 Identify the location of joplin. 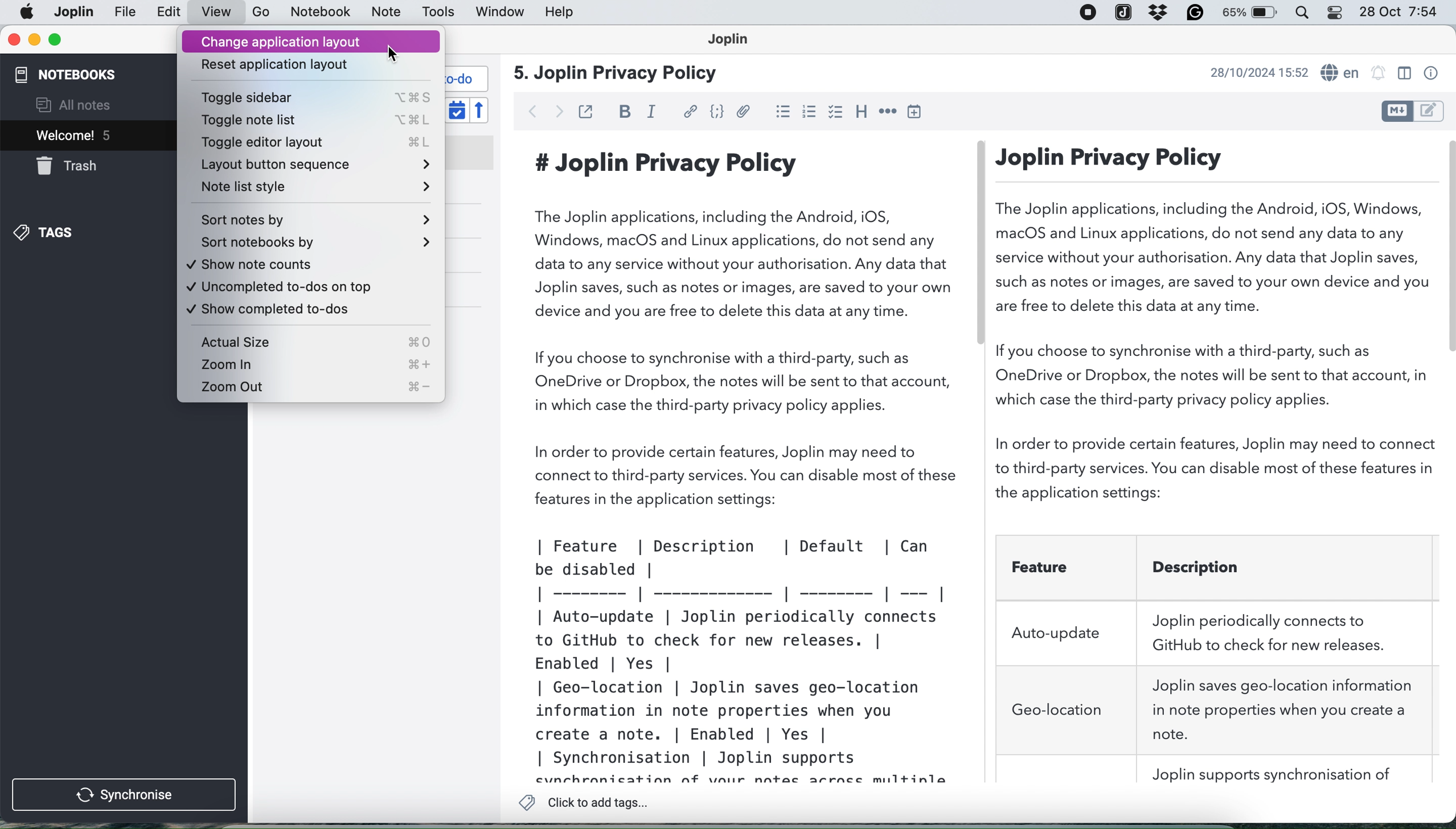
(1123, 12).